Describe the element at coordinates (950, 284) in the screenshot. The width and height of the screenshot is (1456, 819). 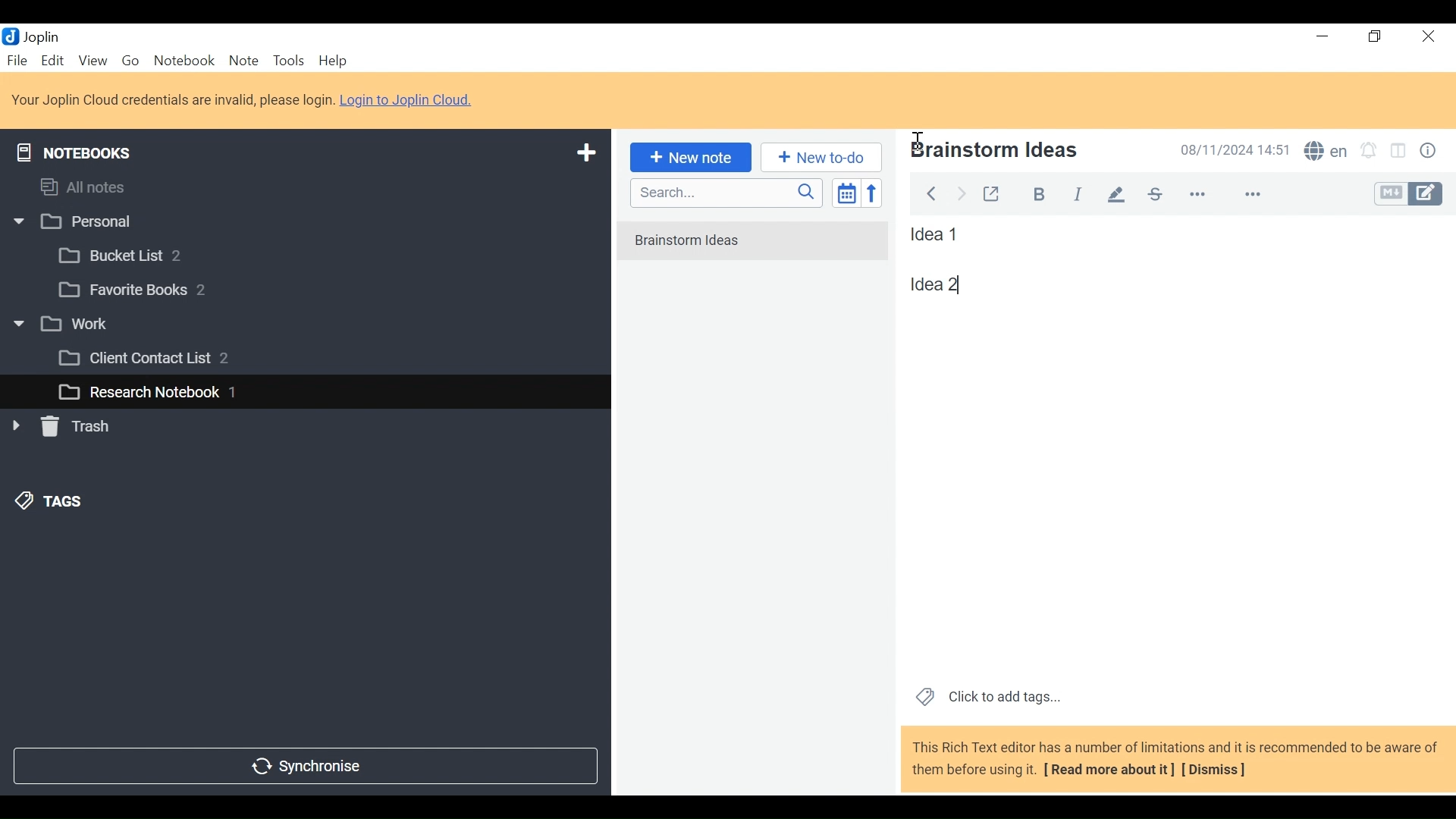
I see `Note View` at that location.